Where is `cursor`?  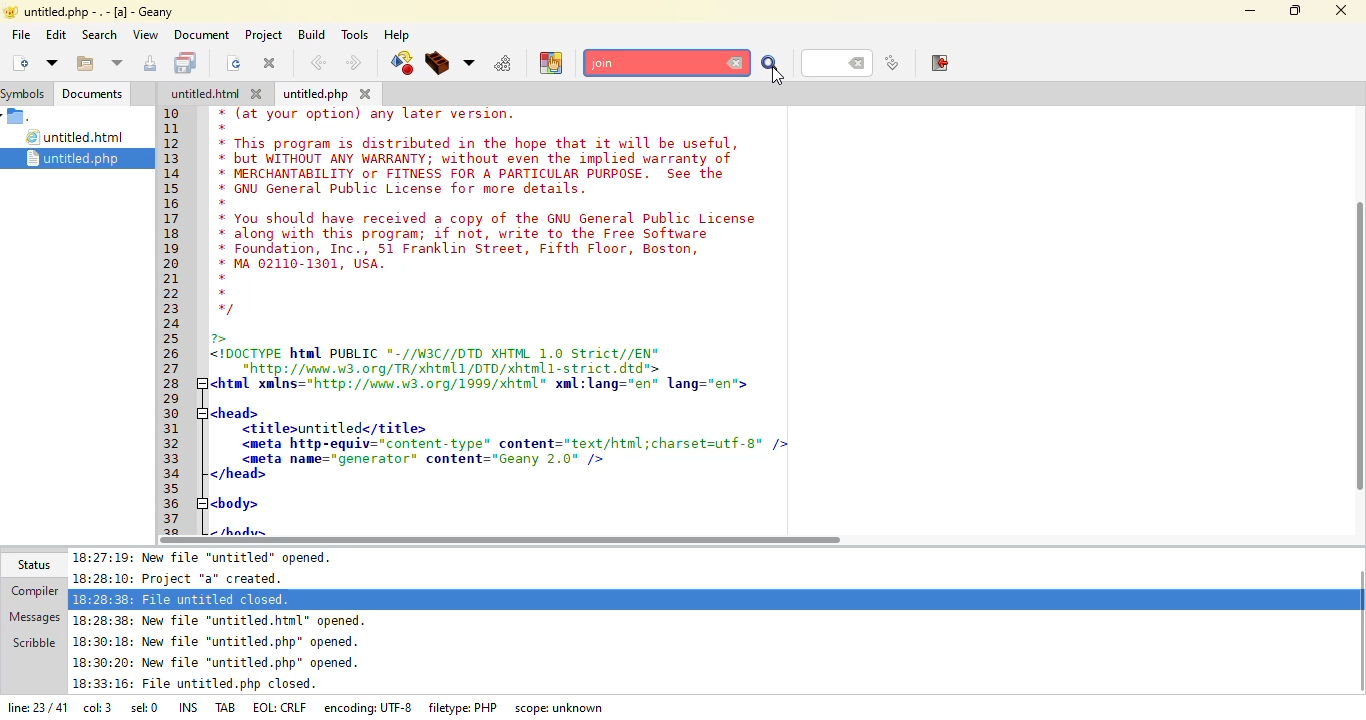 cursor is located at coordinates (778, 74).